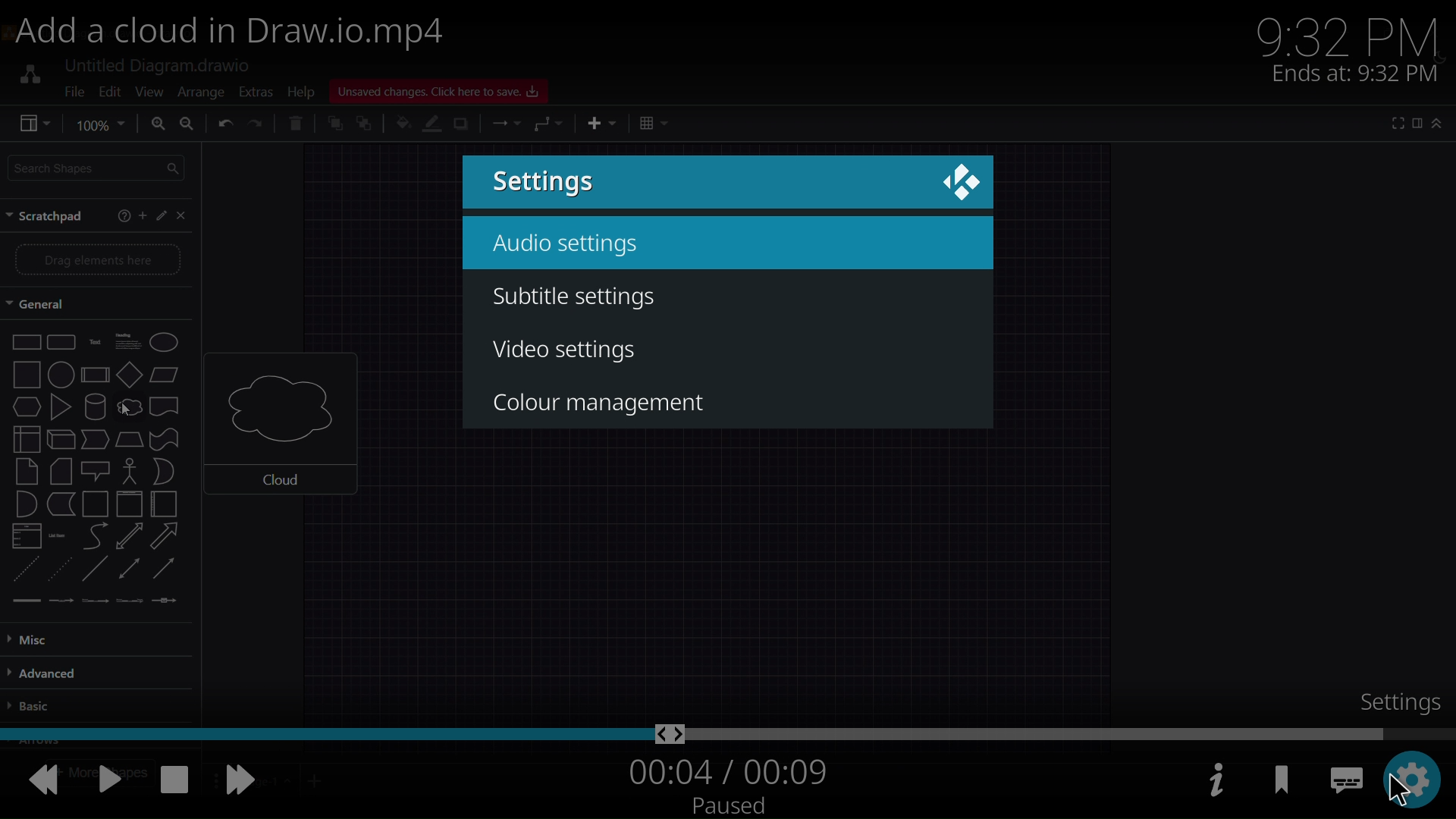 This screenshot has width=1456, height=819. Describe the element at coordinates (605, 401) in the screenshot. I see `color management` at that location.